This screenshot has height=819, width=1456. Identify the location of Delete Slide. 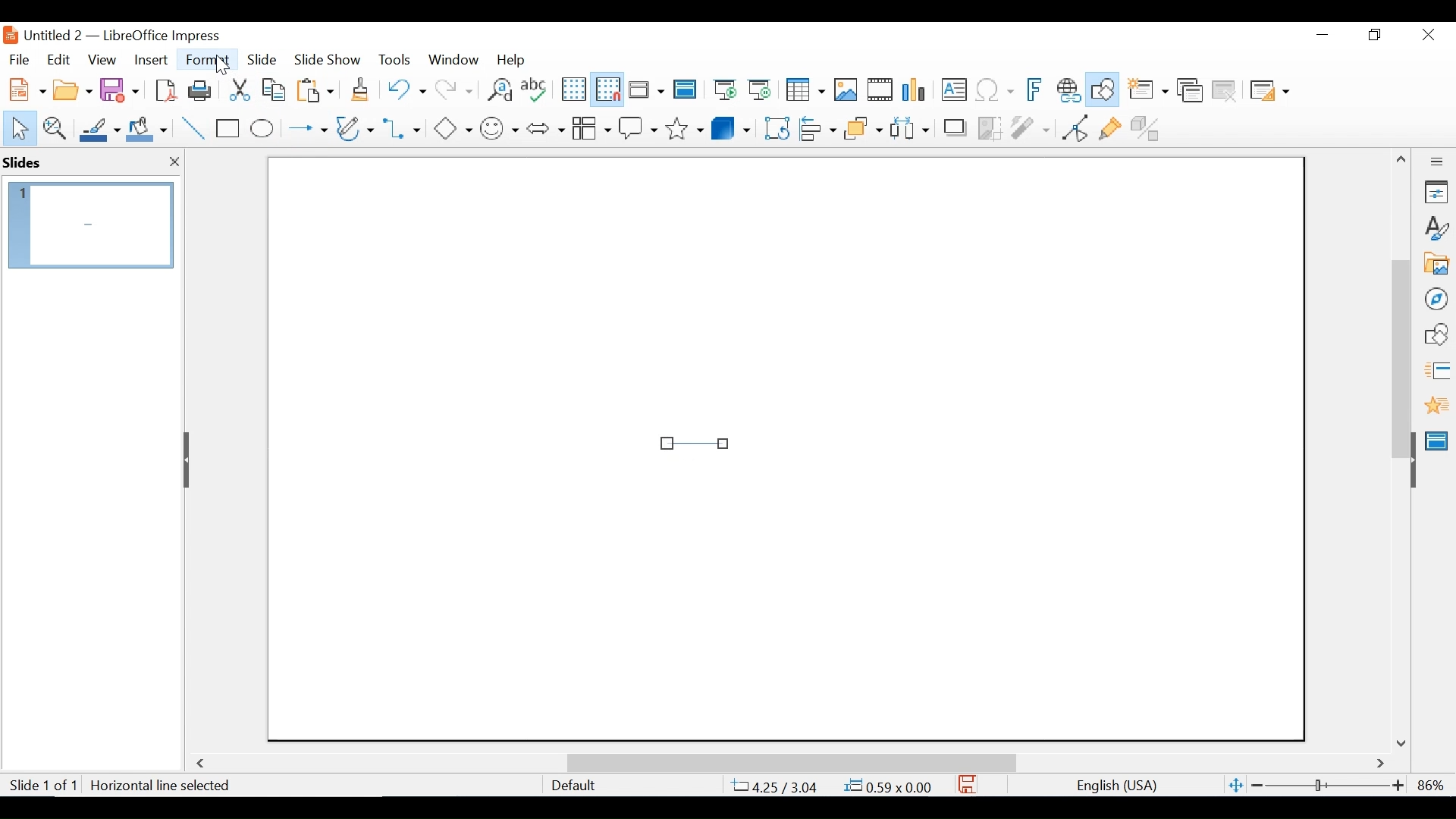
(1223, 91).